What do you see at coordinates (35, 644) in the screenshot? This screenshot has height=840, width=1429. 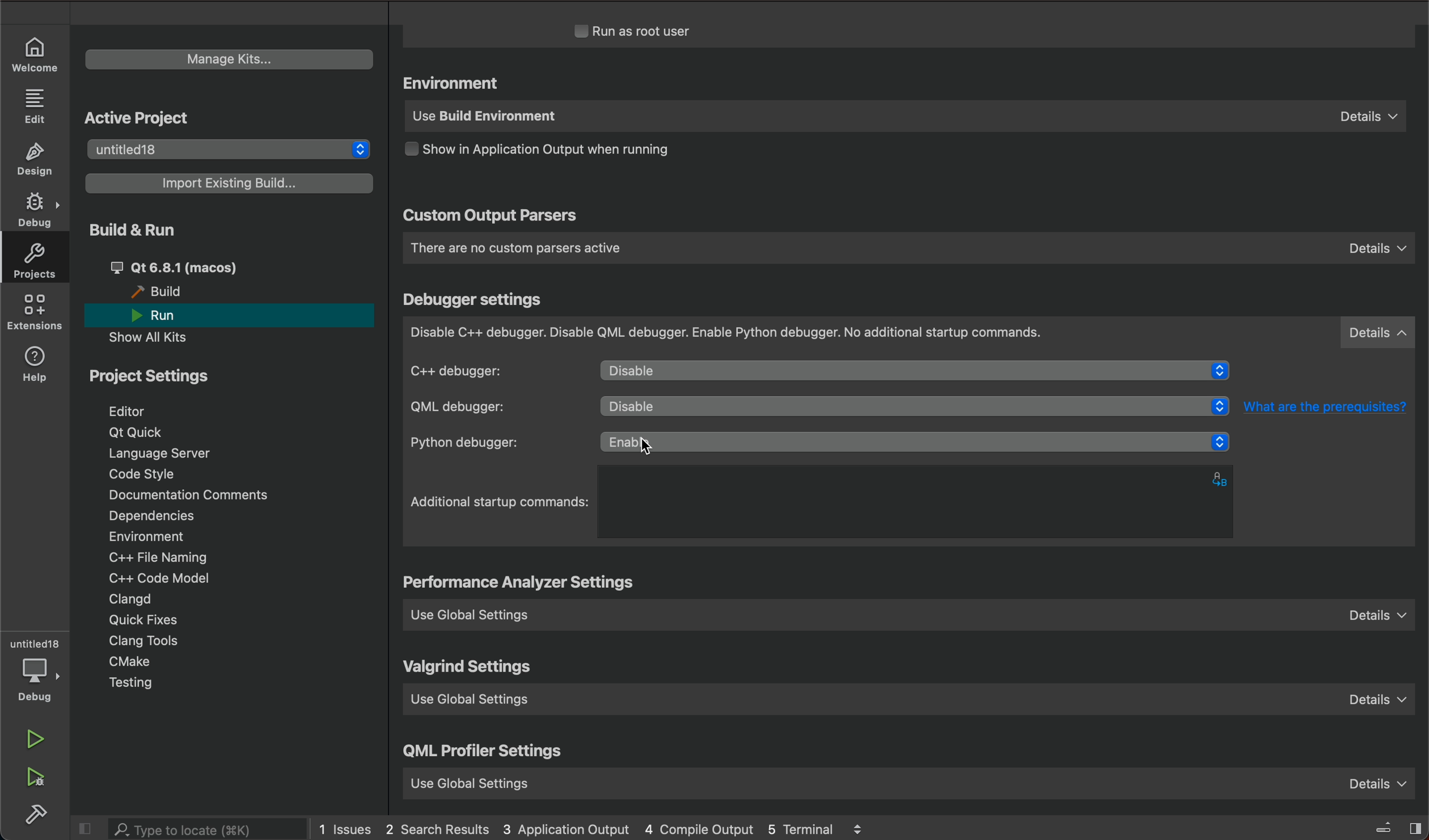 I see `untitled` at bounding box center [35, 644].